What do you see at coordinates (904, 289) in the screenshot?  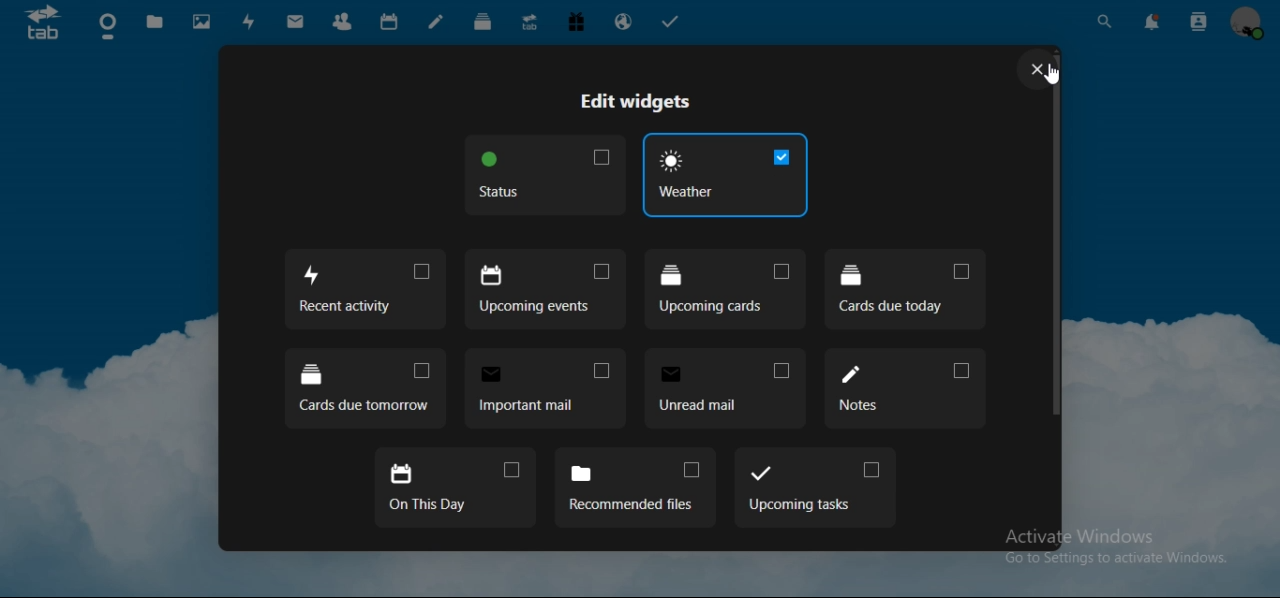 I see `cards due today` at bounding box center [904, 289].